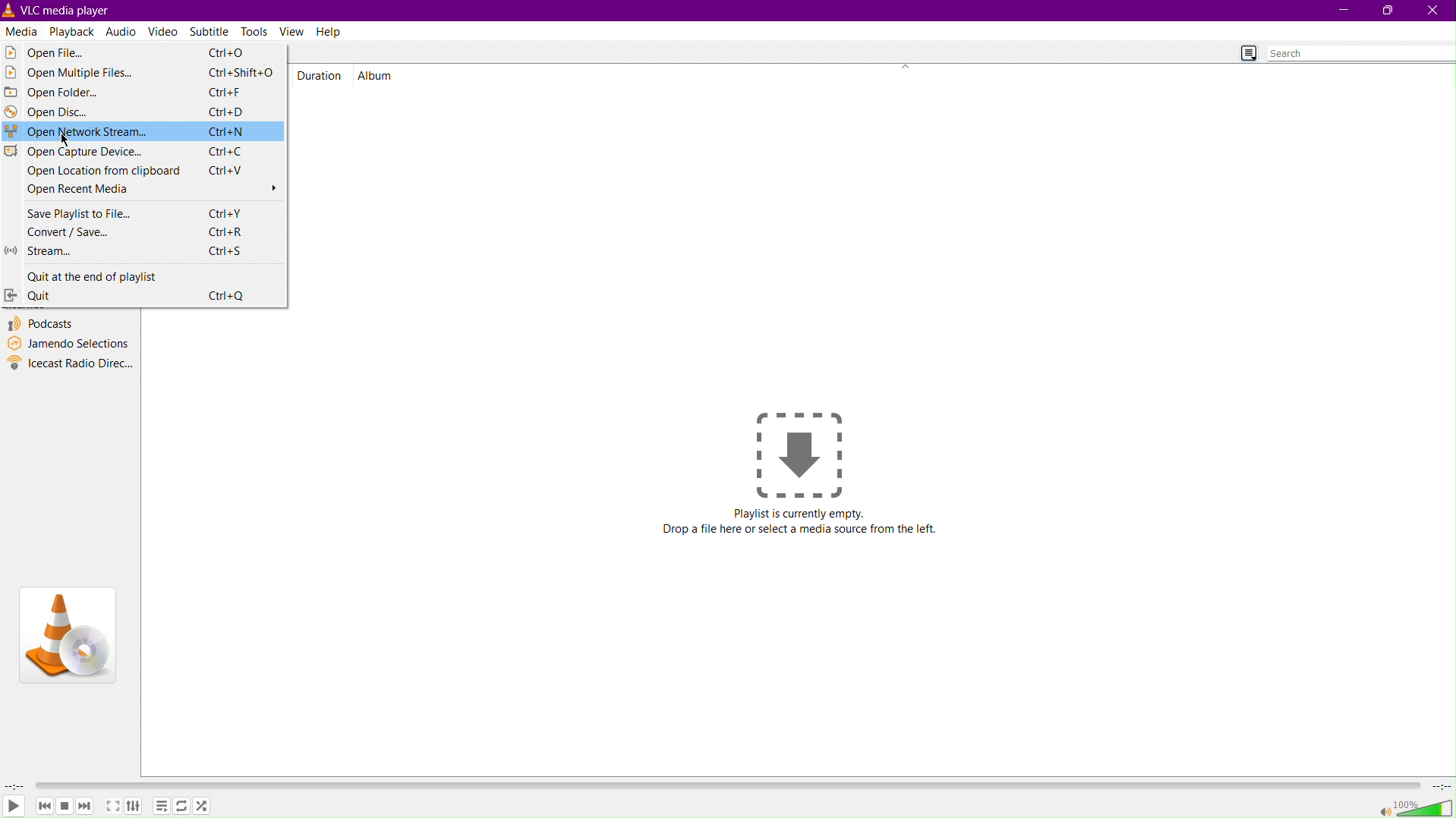 This screenshot has width=1456, height=818. I want to click on Video, so click(164, 30).